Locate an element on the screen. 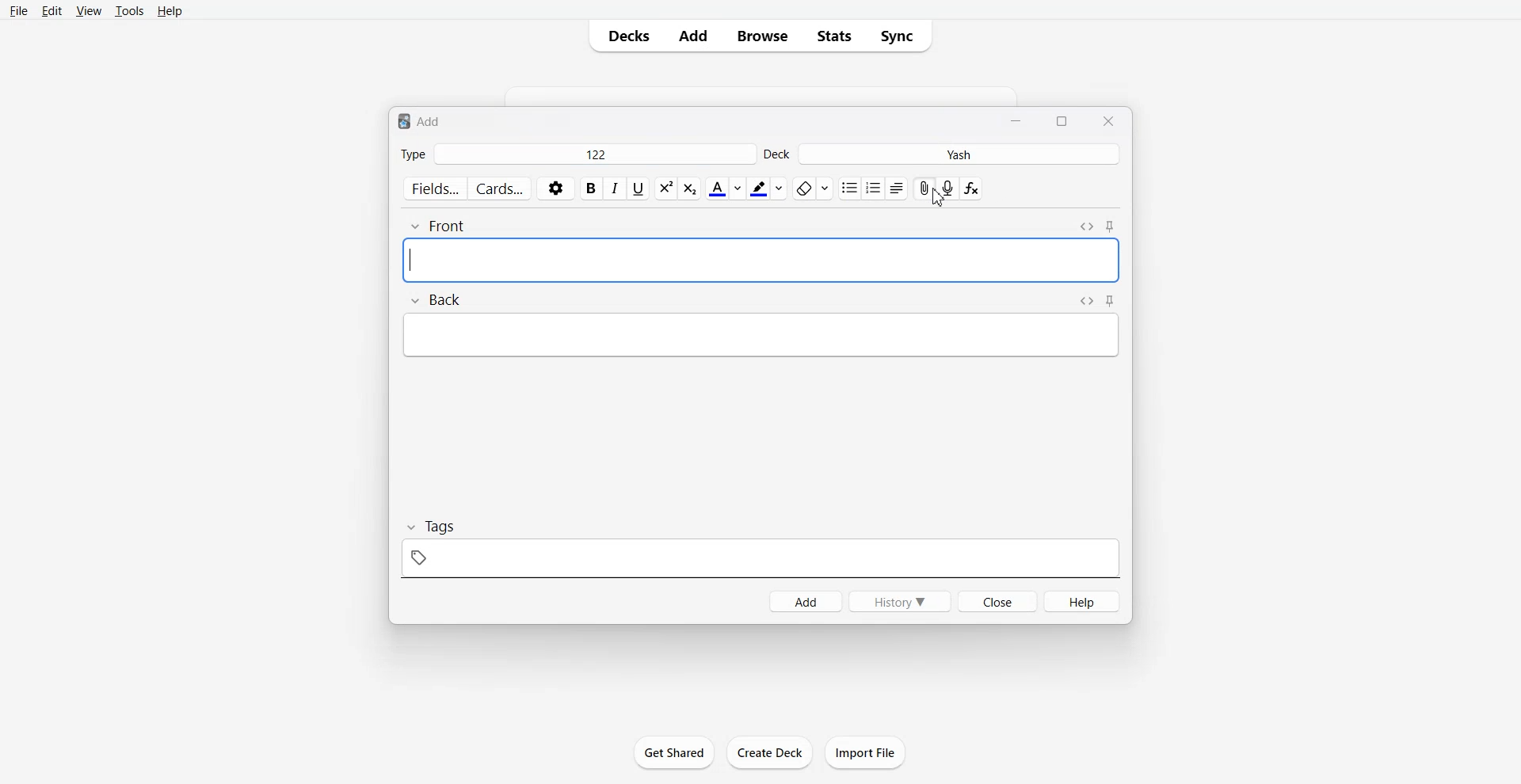 Image resolution: width=1521 pixels, height=784 pixels. Underline is located at coordinates (639, 188).